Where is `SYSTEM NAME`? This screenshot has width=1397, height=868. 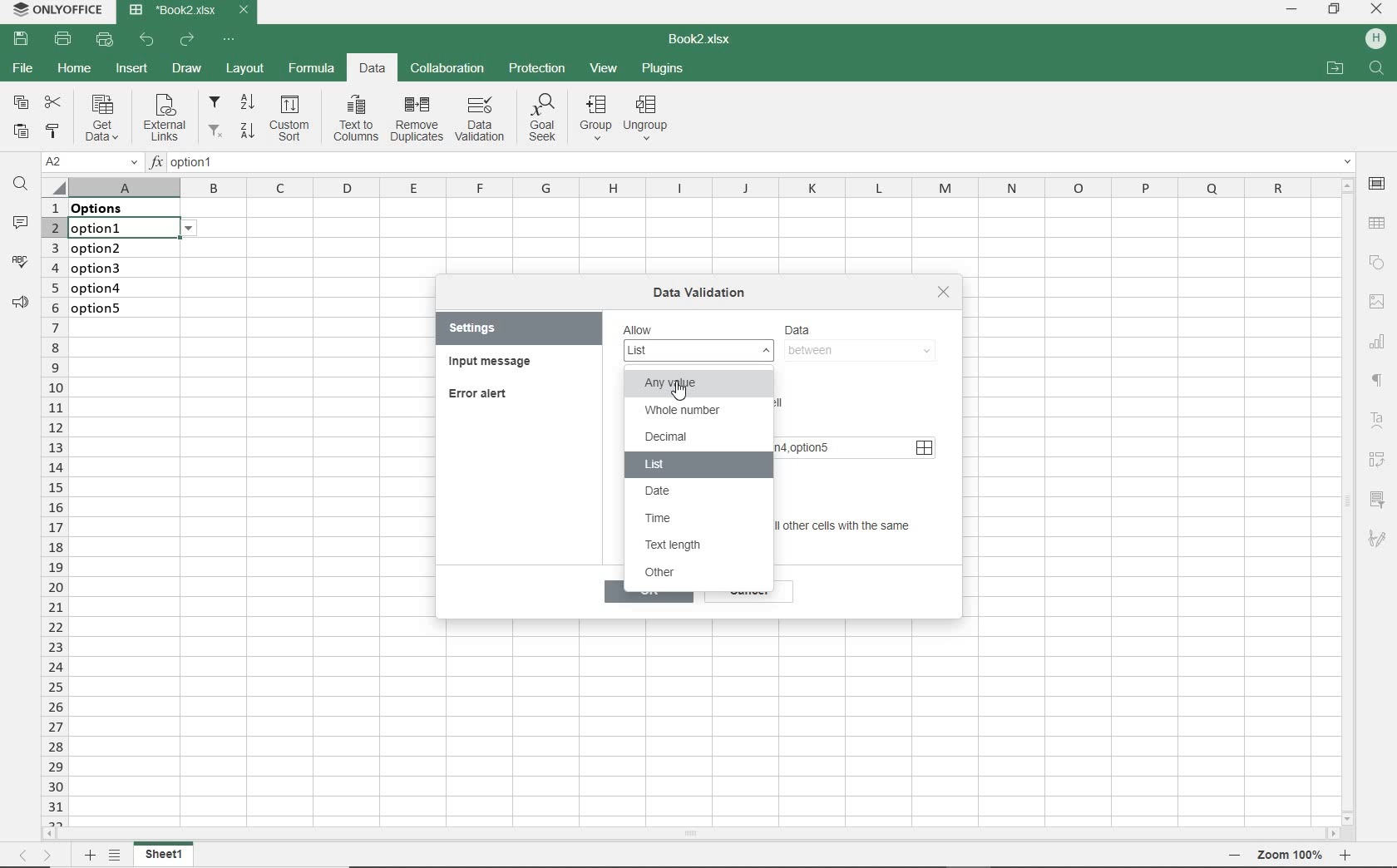
SYSTEM NAME is located at coordinates (60, 10).